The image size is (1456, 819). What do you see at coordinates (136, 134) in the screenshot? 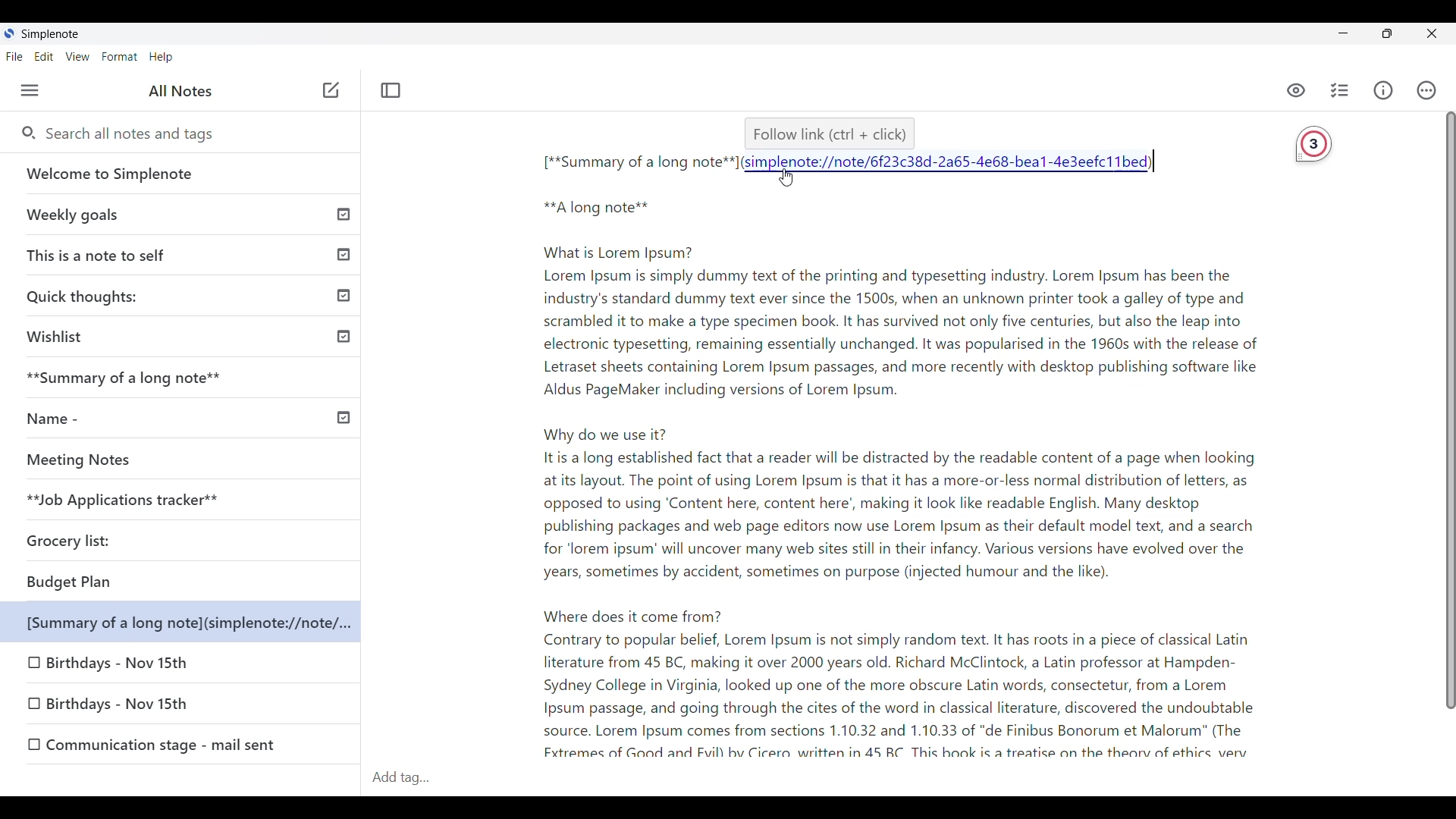
I see `Search all notes and tags` at bounding box center [136, 134].